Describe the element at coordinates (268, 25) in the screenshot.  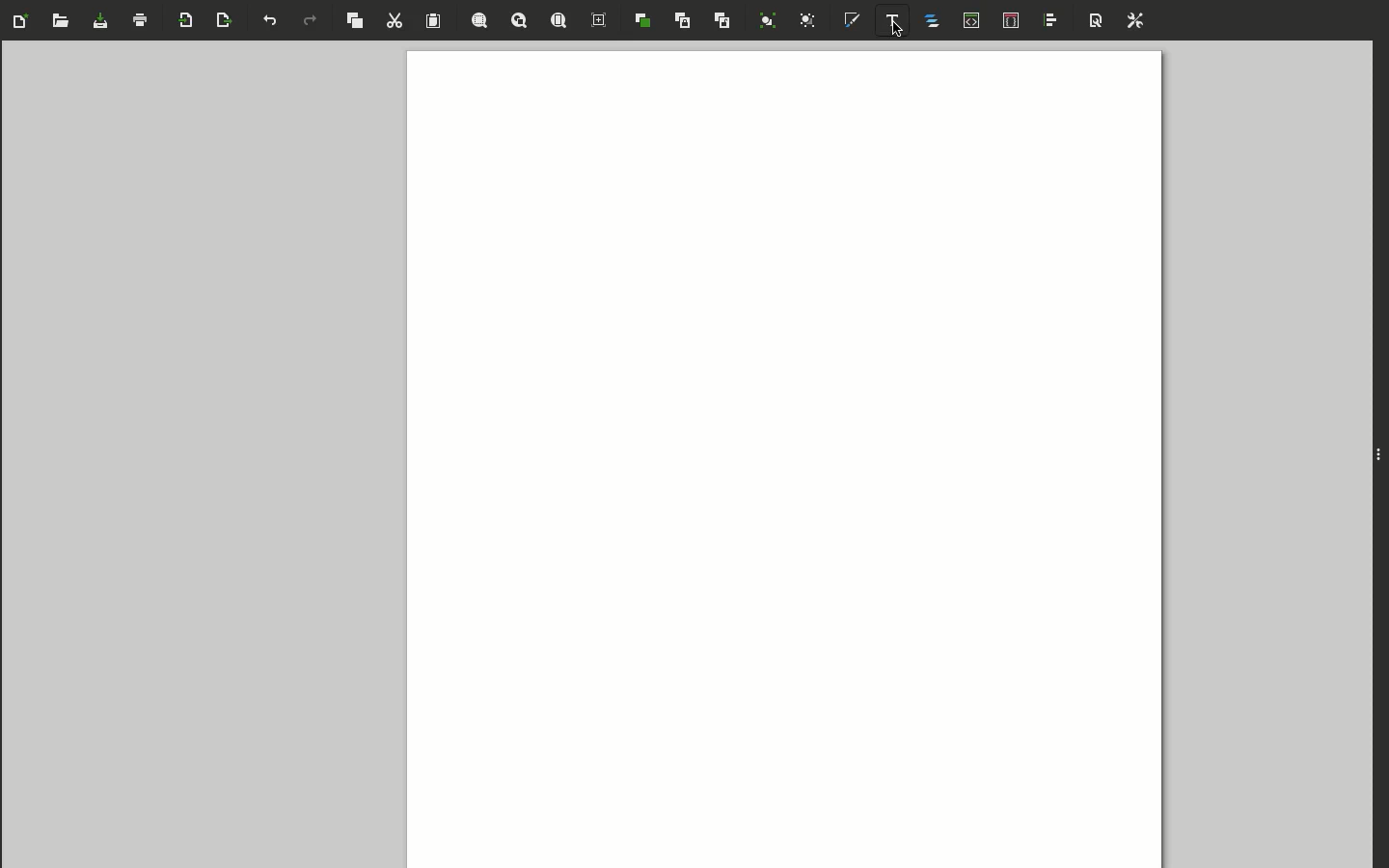
I see `Undo` at that location.